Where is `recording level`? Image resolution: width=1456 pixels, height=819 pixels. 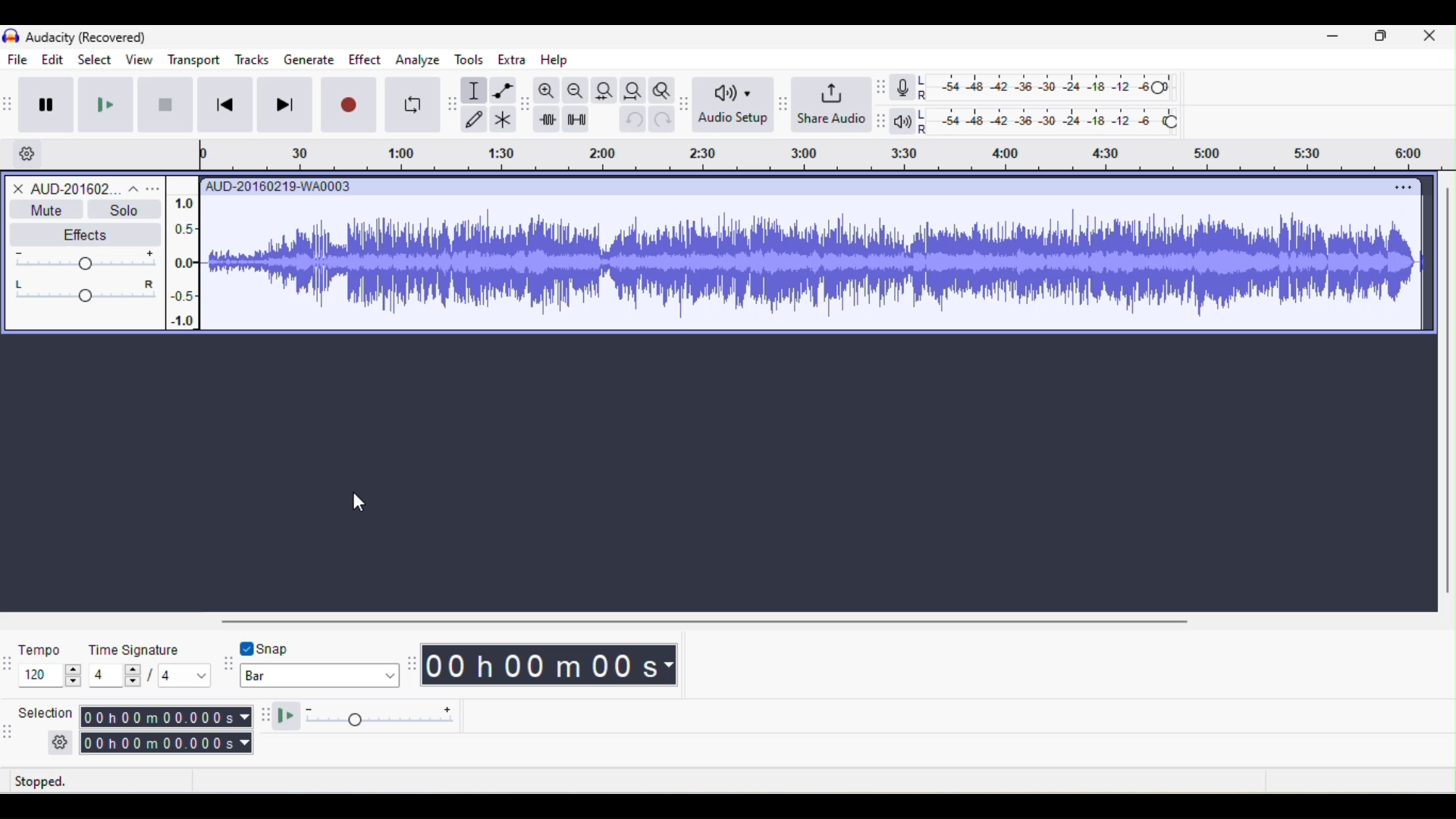
recording level is located at coordinates (1047, 86).